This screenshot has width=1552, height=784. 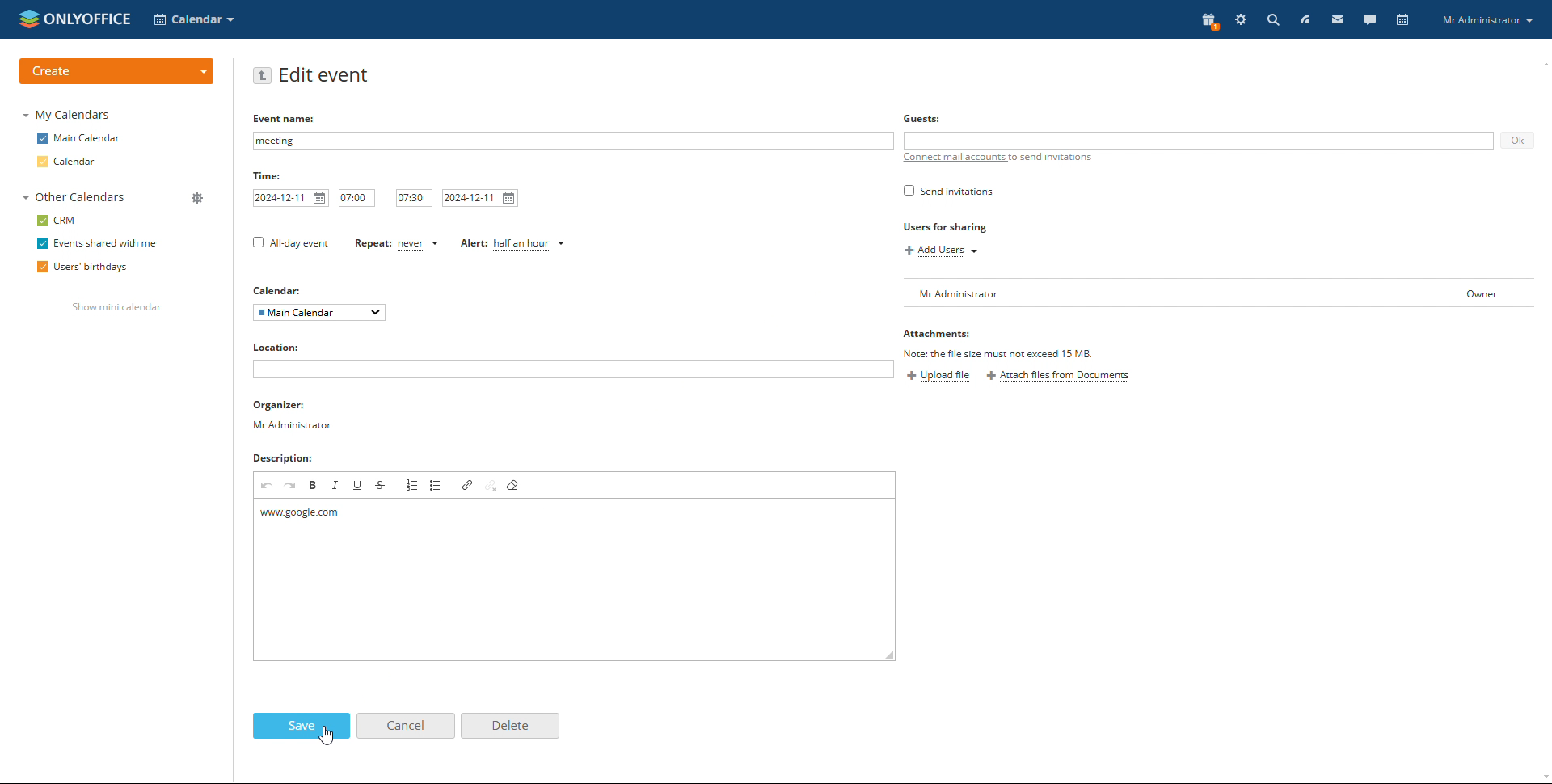 What do you see at coordinates (359, 485) in the screenshot?
I see `underline` at bounding box center [359, 485].